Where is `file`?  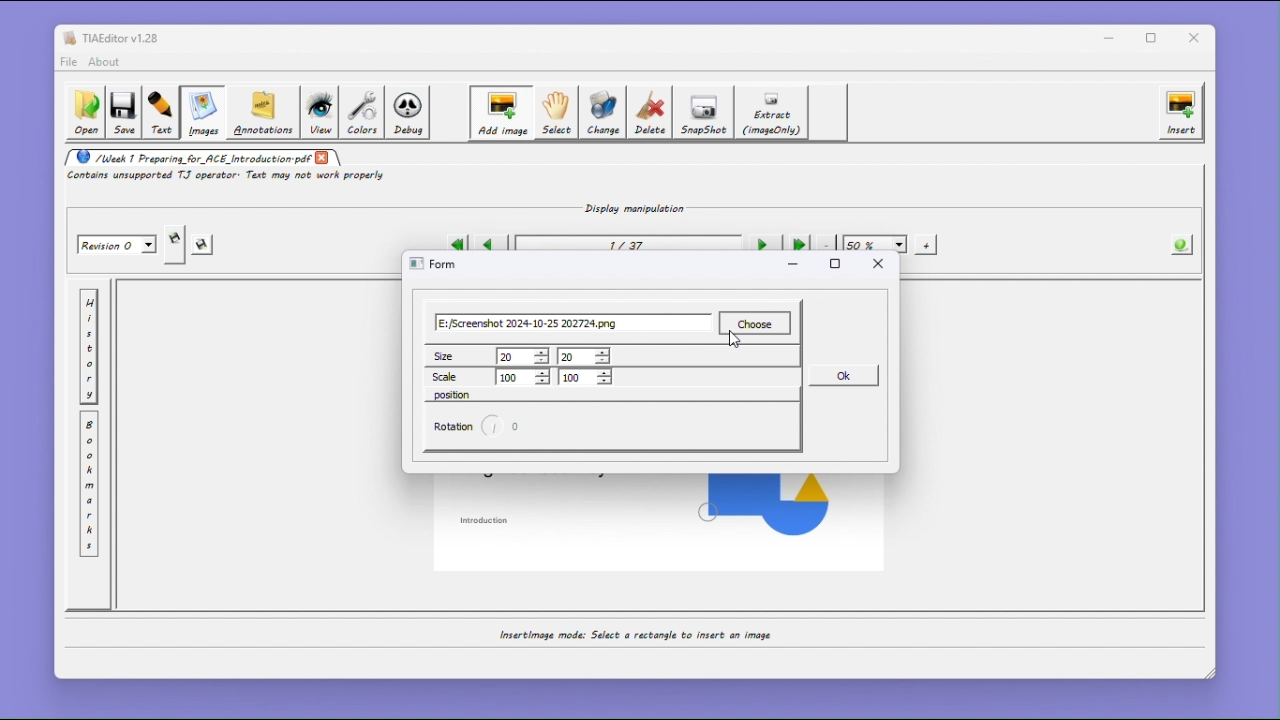
file is located at coordinates (68, 62).